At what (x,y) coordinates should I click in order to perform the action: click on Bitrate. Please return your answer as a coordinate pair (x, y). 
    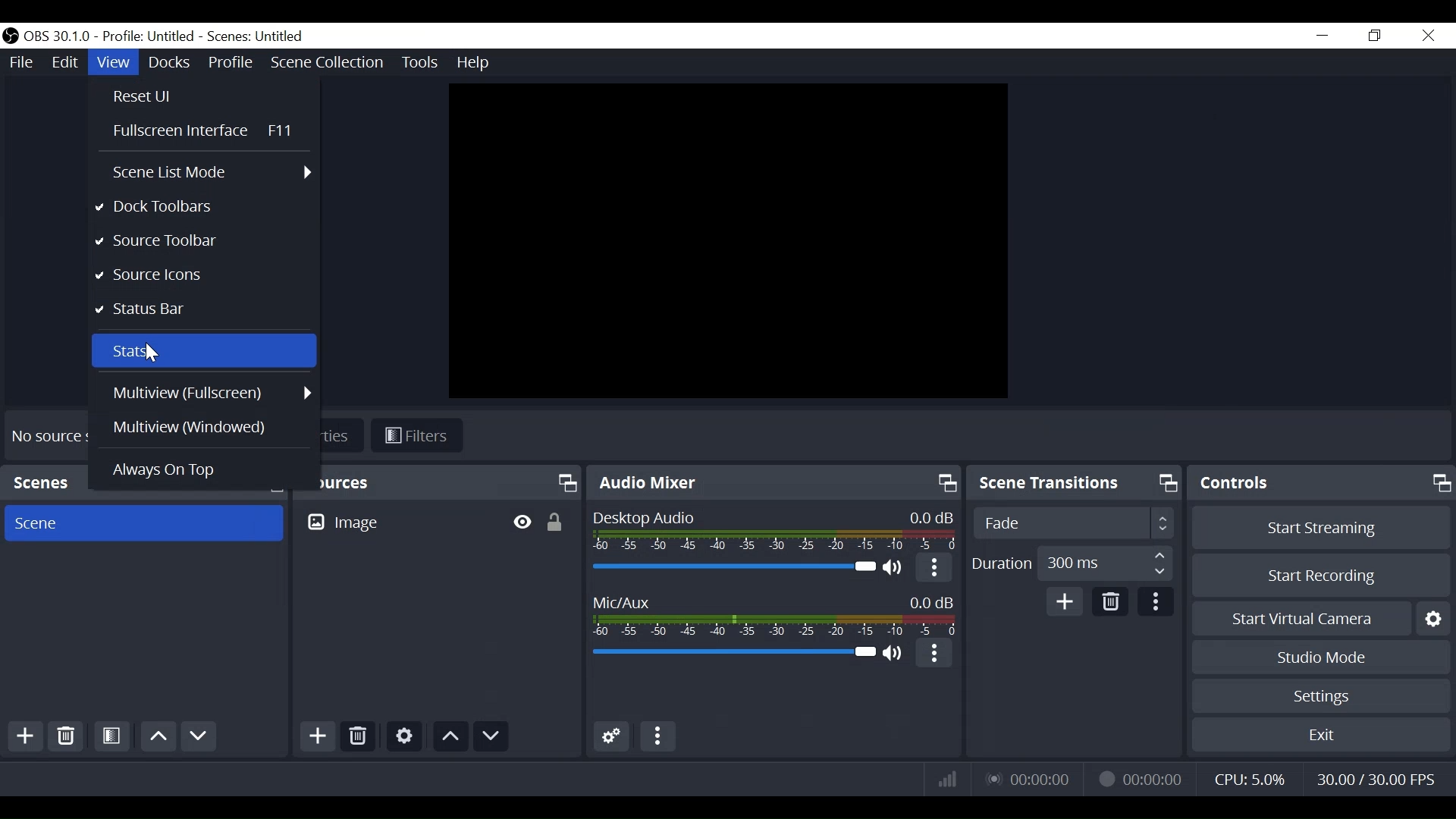
    Looking at the image, I should click on (947, 778).